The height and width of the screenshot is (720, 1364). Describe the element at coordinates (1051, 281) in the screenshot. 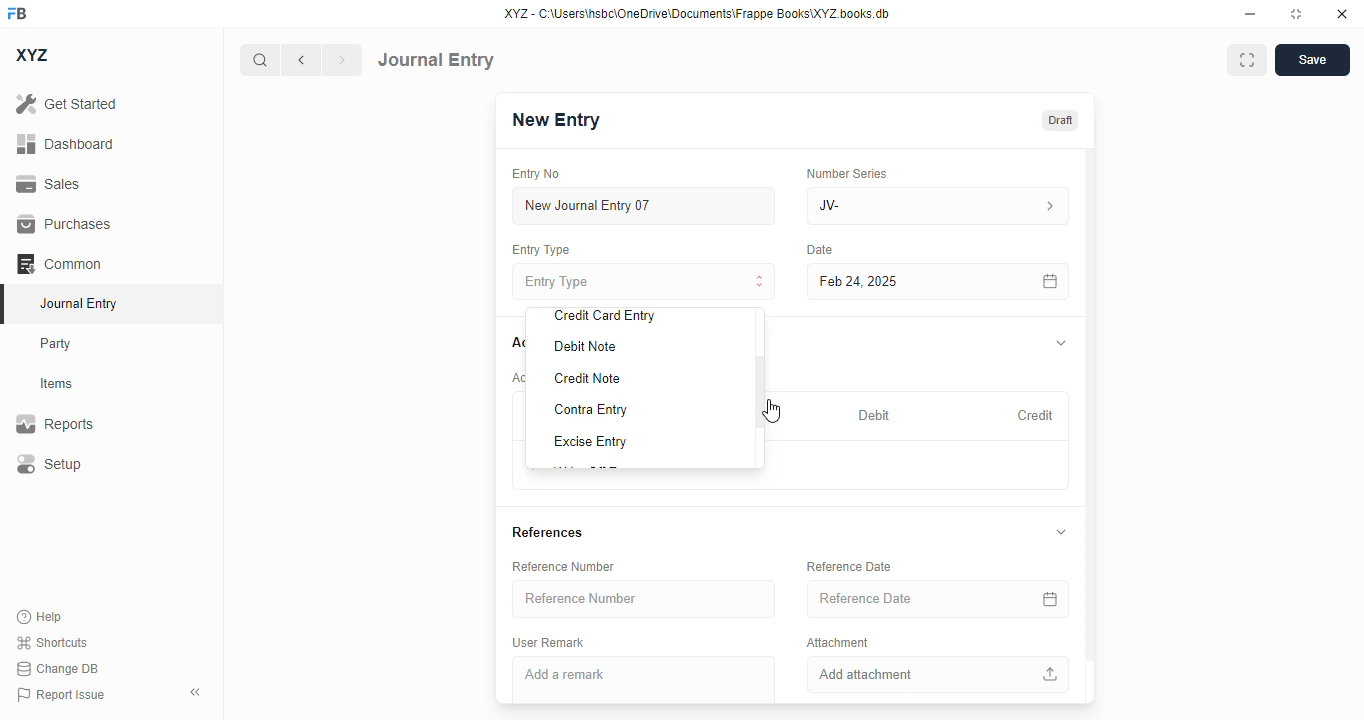

I see `calendar icon` at that location.